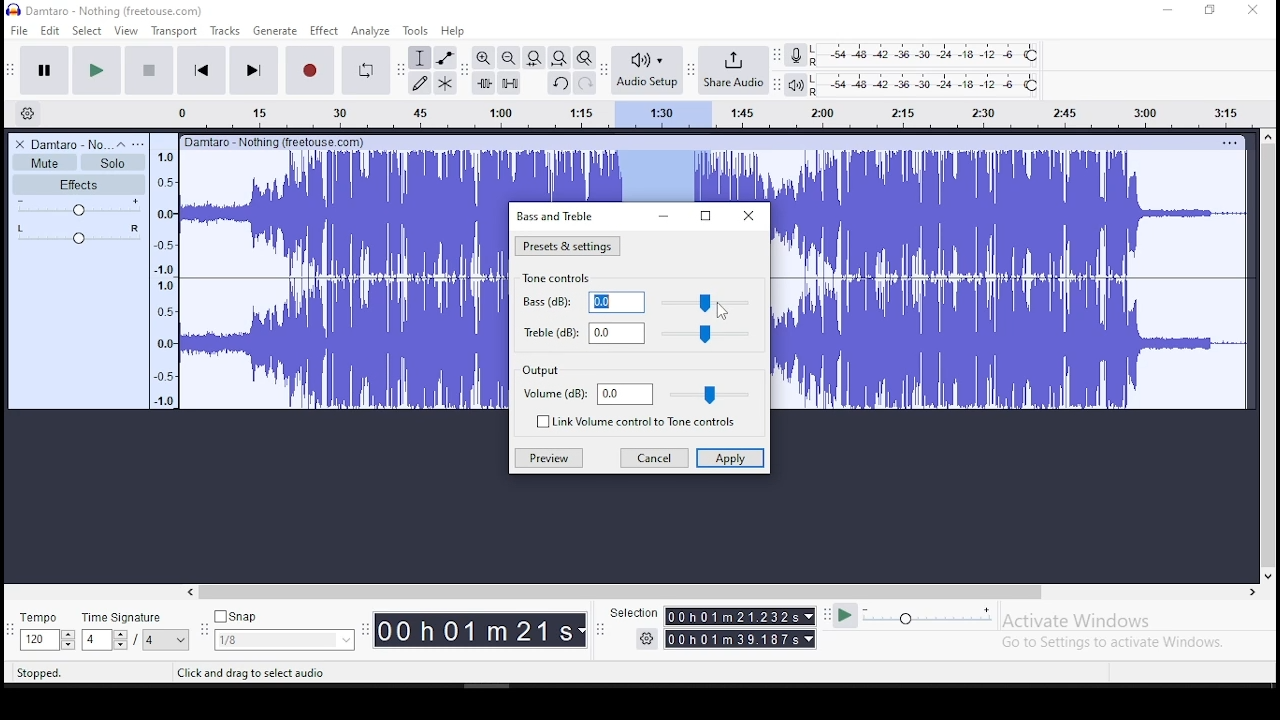 This screenshot has height=720, width=1280. I want to click on Click and drag to select audio (Esc to cancel), so click(291, 672).